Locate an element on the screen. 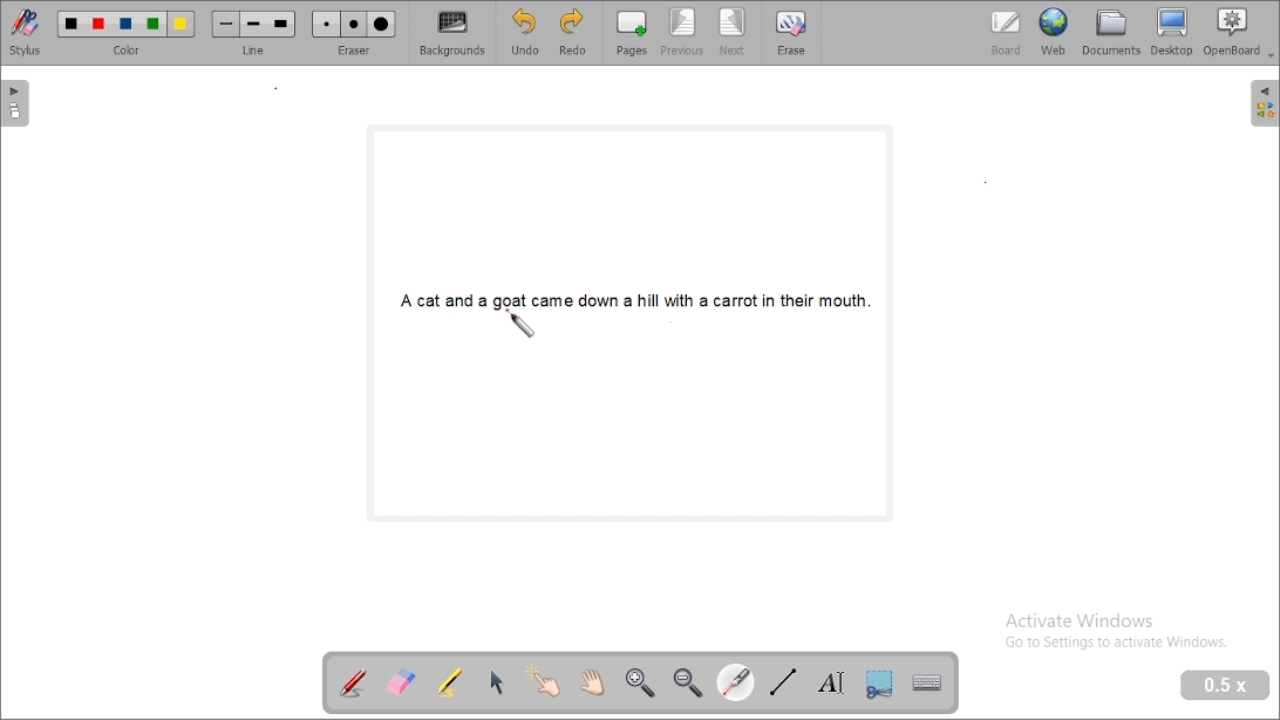  select and modify objects is located at coordinates (496, 683).